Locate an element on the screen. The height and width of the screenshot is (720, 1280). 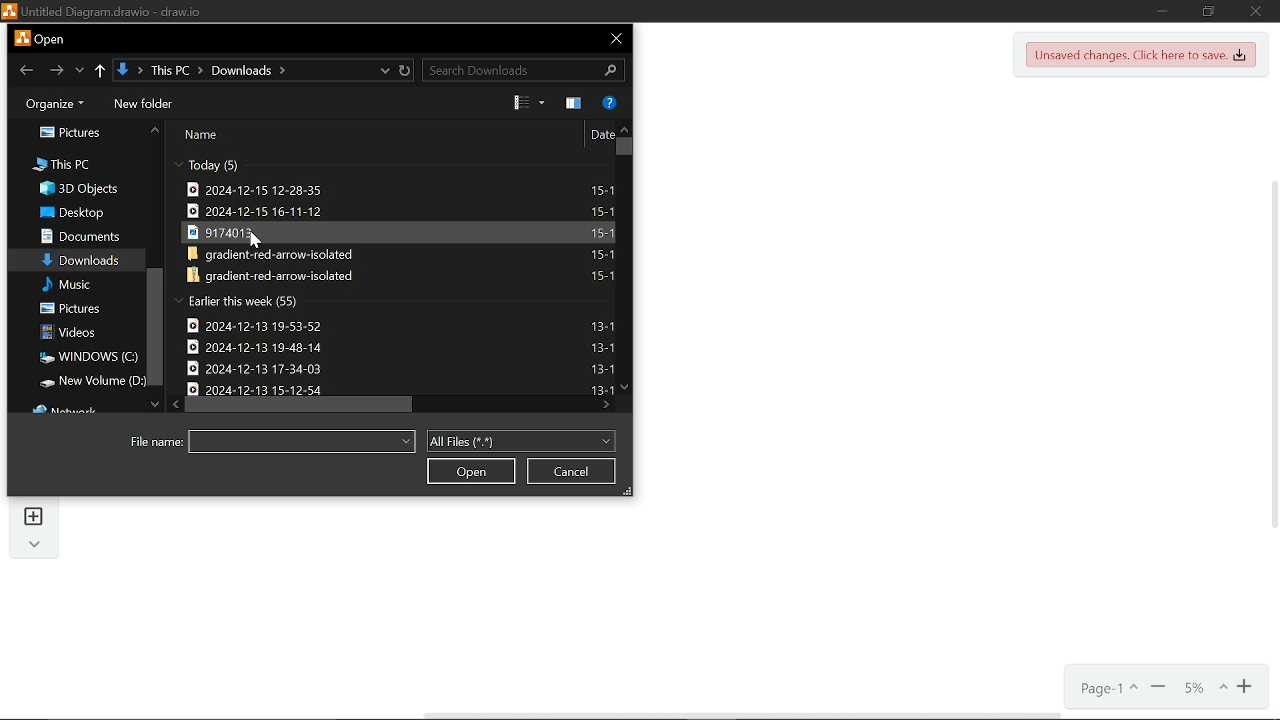
desktop is located at coordinates (78, 212).